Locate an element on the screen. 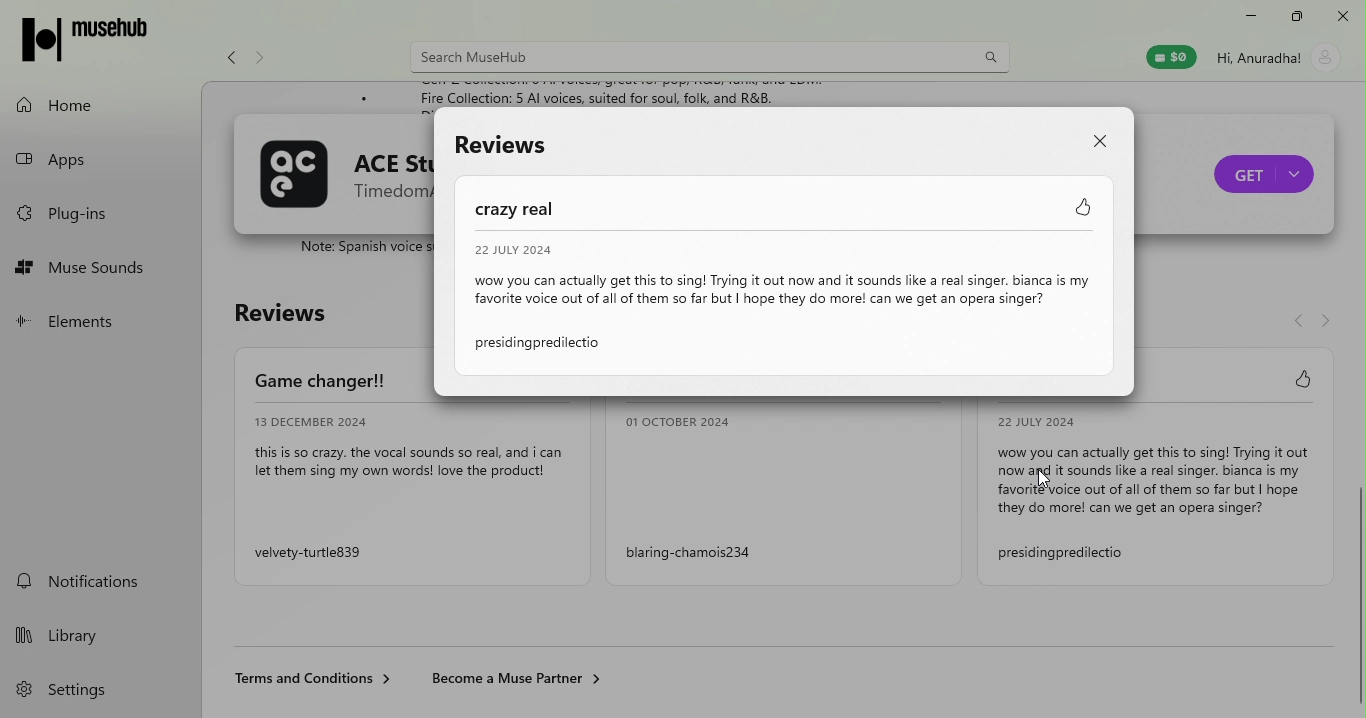  search is located at coordinates (987, 56).